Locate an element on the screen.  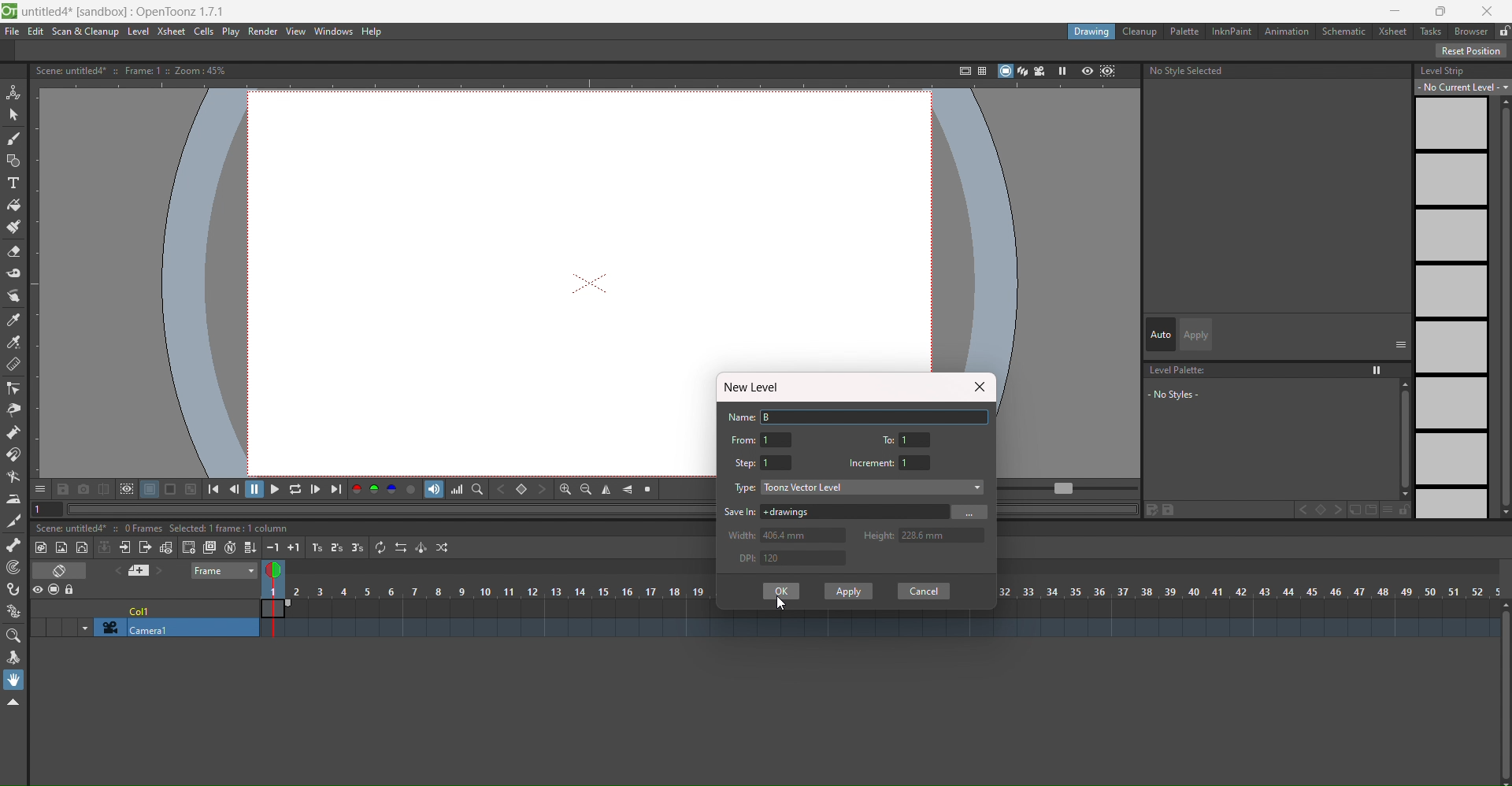
inknpaint is located at coordinates (1230, 32).